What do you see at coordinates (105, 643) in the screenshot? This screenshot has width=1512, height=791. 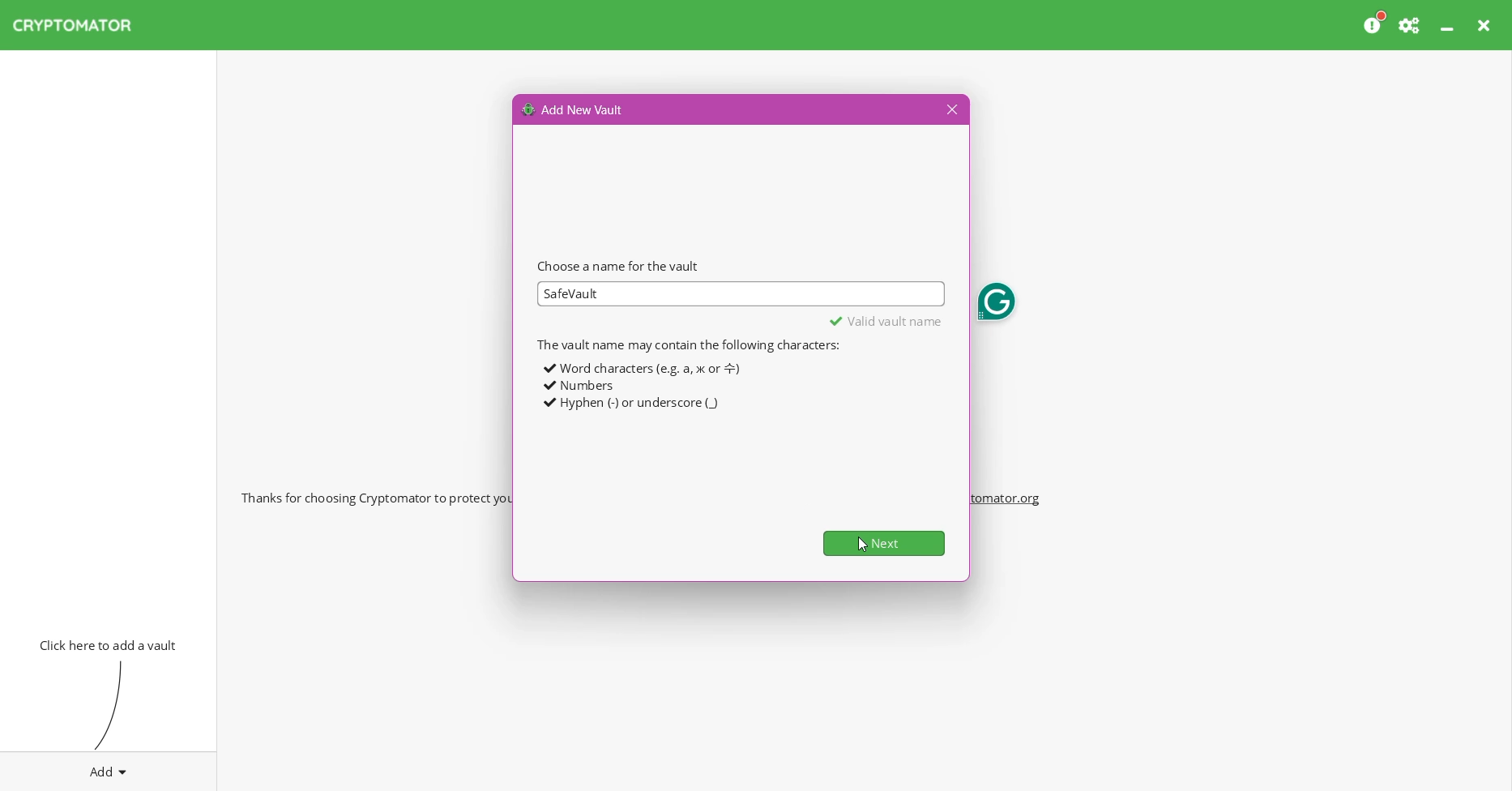 I see `Click here to add vault` at bounding box center [105, 643].